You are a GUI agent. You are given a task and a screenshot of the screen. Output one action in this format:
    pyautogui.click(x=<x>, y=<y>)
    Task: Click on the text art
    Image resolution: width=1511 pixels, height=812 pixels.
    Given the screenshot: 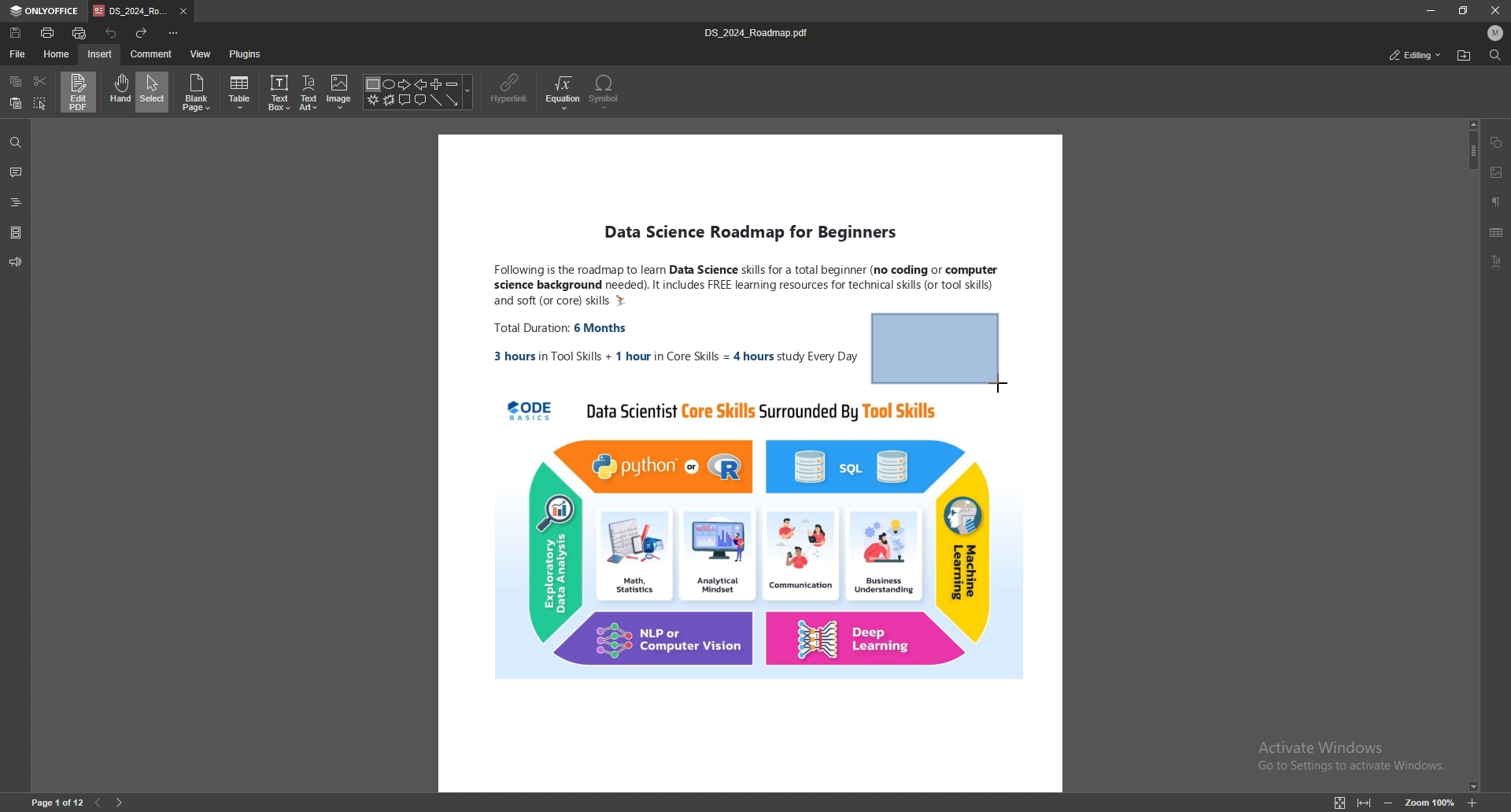 What is the action you would take?
    pyautogui.click(x=1501, y=261)
    